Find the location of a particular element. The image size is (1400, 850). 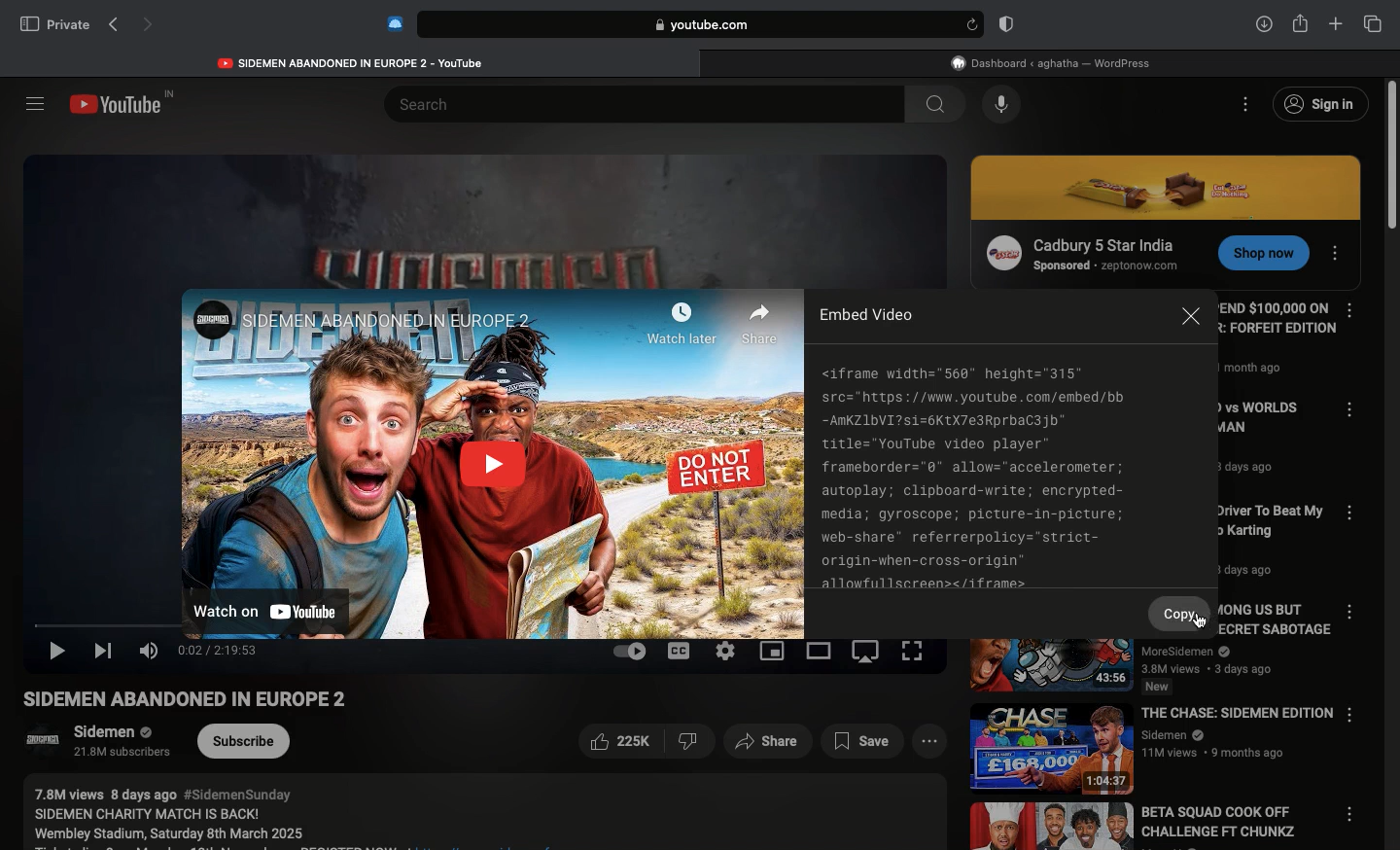

Description is located at coordinates (477, 812).